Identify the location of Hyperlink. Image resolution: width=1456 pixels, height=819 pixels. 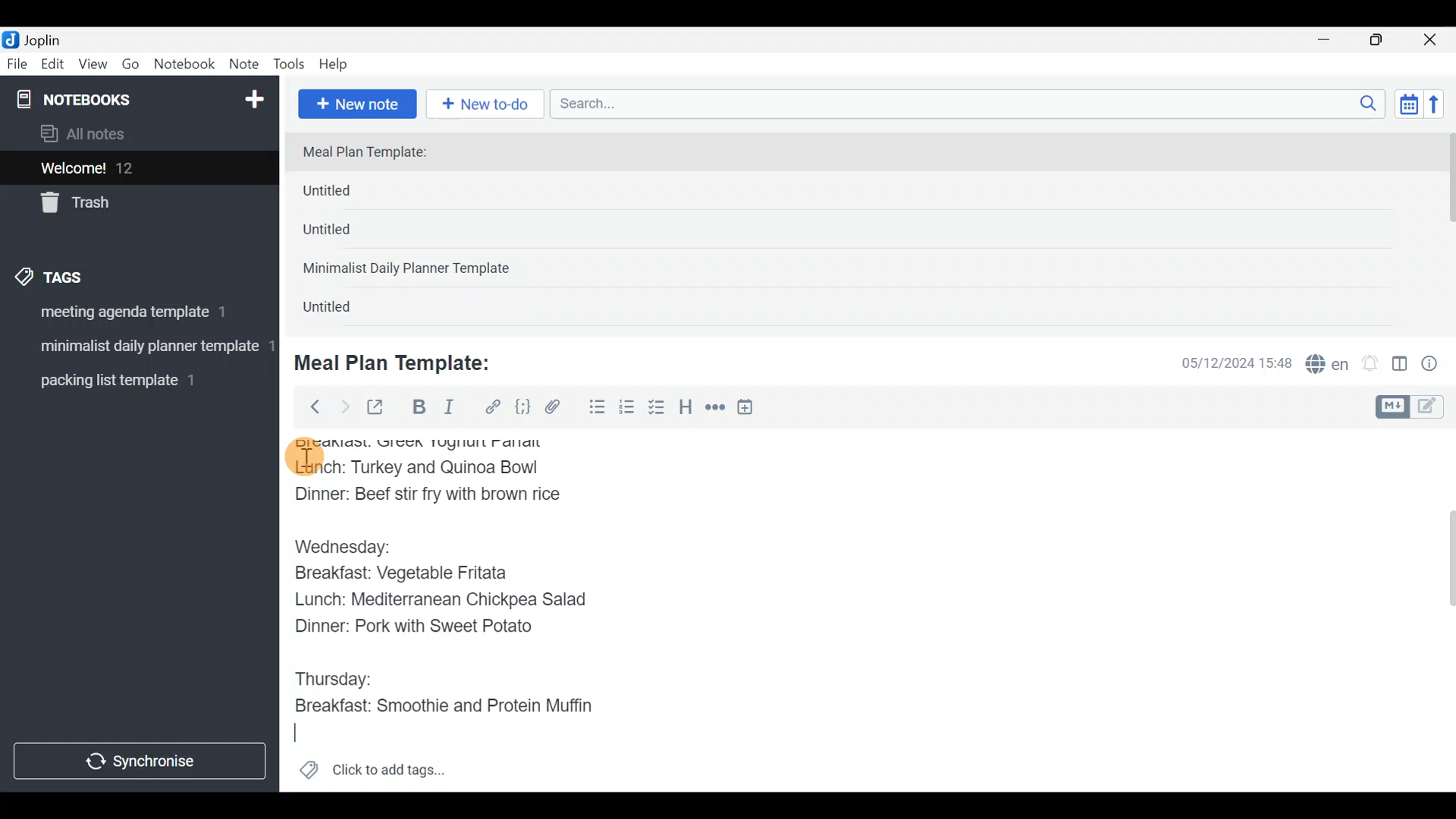
(493, 407).